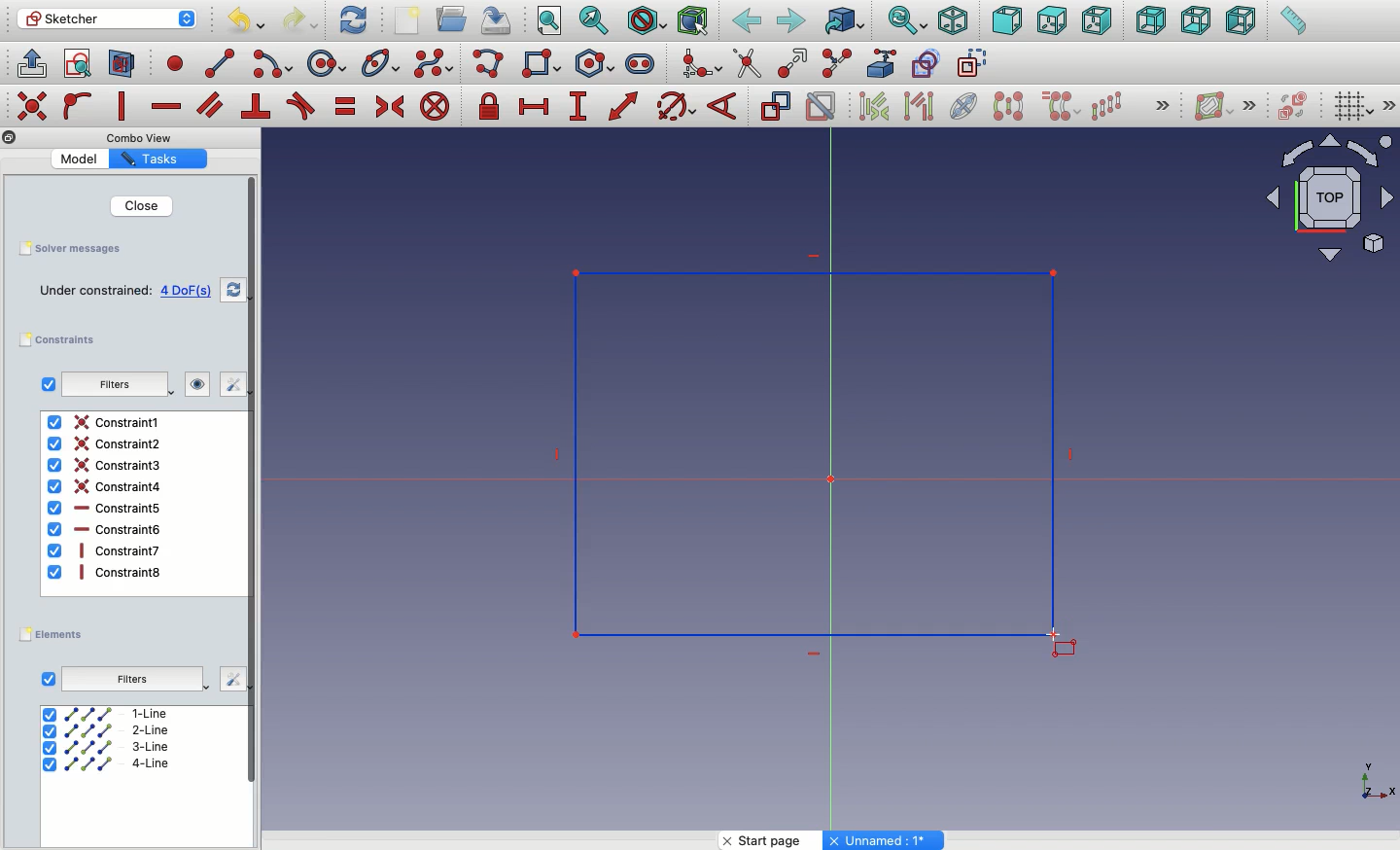 The height and width of the screenshot is (850, 1400). Describe the element at coordinates (547, 22) in the screenshot. I see `Fit all` at that location.